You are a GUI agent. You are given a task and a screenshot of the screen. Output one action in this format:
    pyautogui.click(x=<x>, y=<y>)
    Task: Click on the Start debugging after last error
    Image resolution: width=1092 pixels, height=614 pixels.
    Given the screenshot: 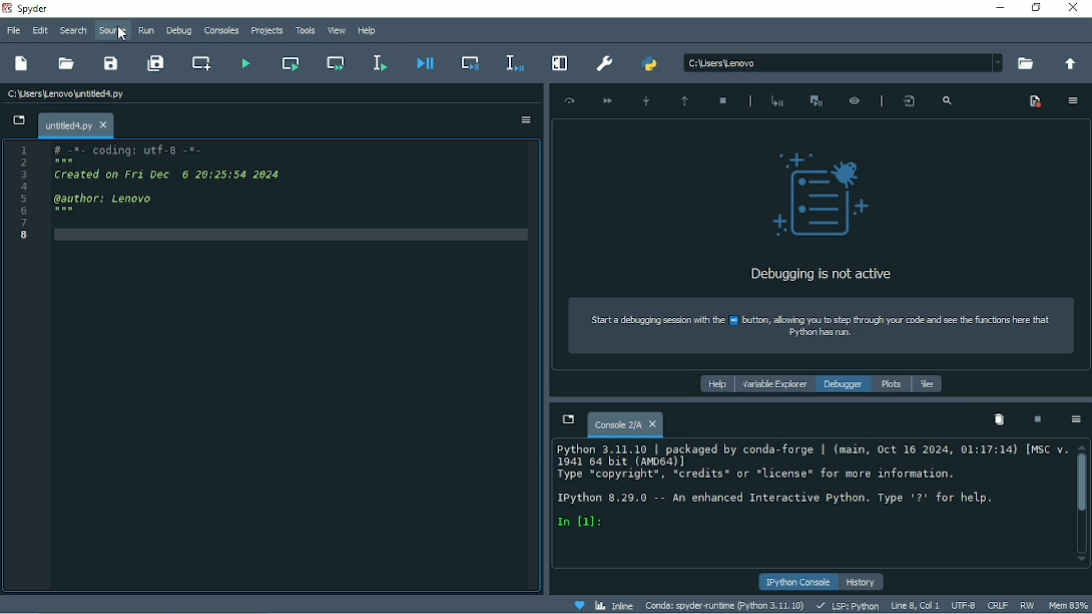 What is the action you would take?
    pyautogui.click(x=778, y=101)
    